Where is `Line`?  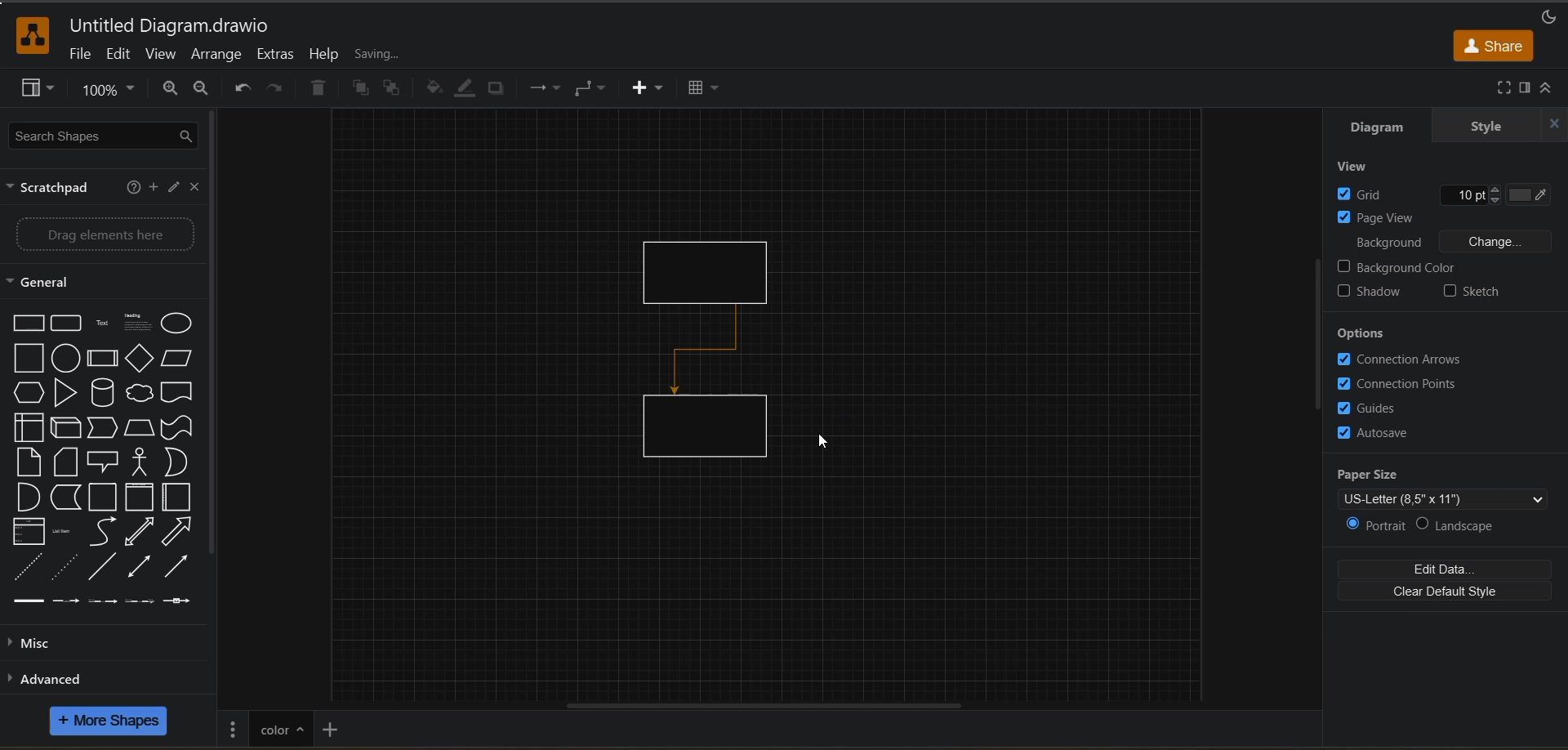
Line is located at coordinates (101, 567).